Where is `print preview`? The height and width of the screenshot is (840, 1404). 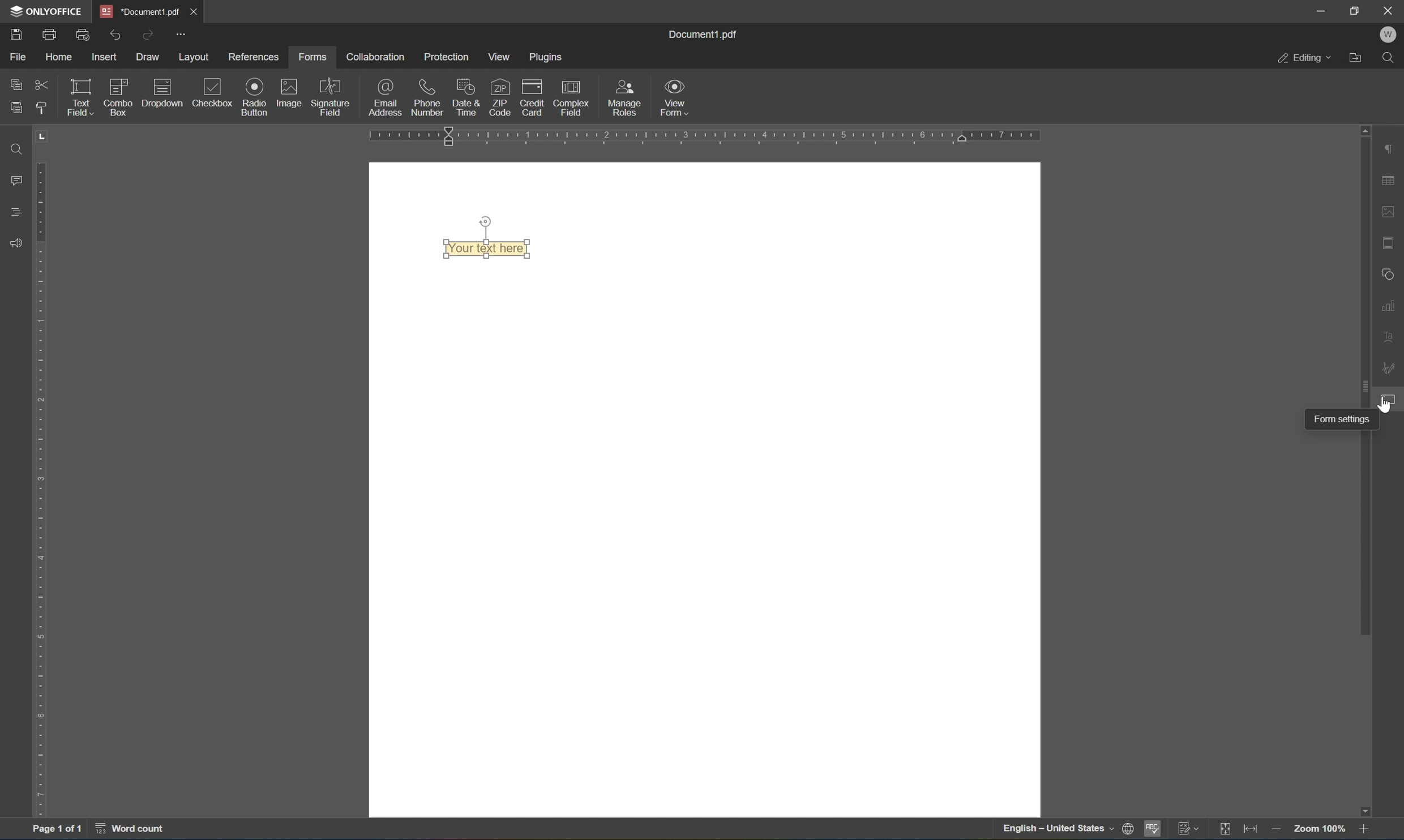 print preview is located at coordinates (82, 33).